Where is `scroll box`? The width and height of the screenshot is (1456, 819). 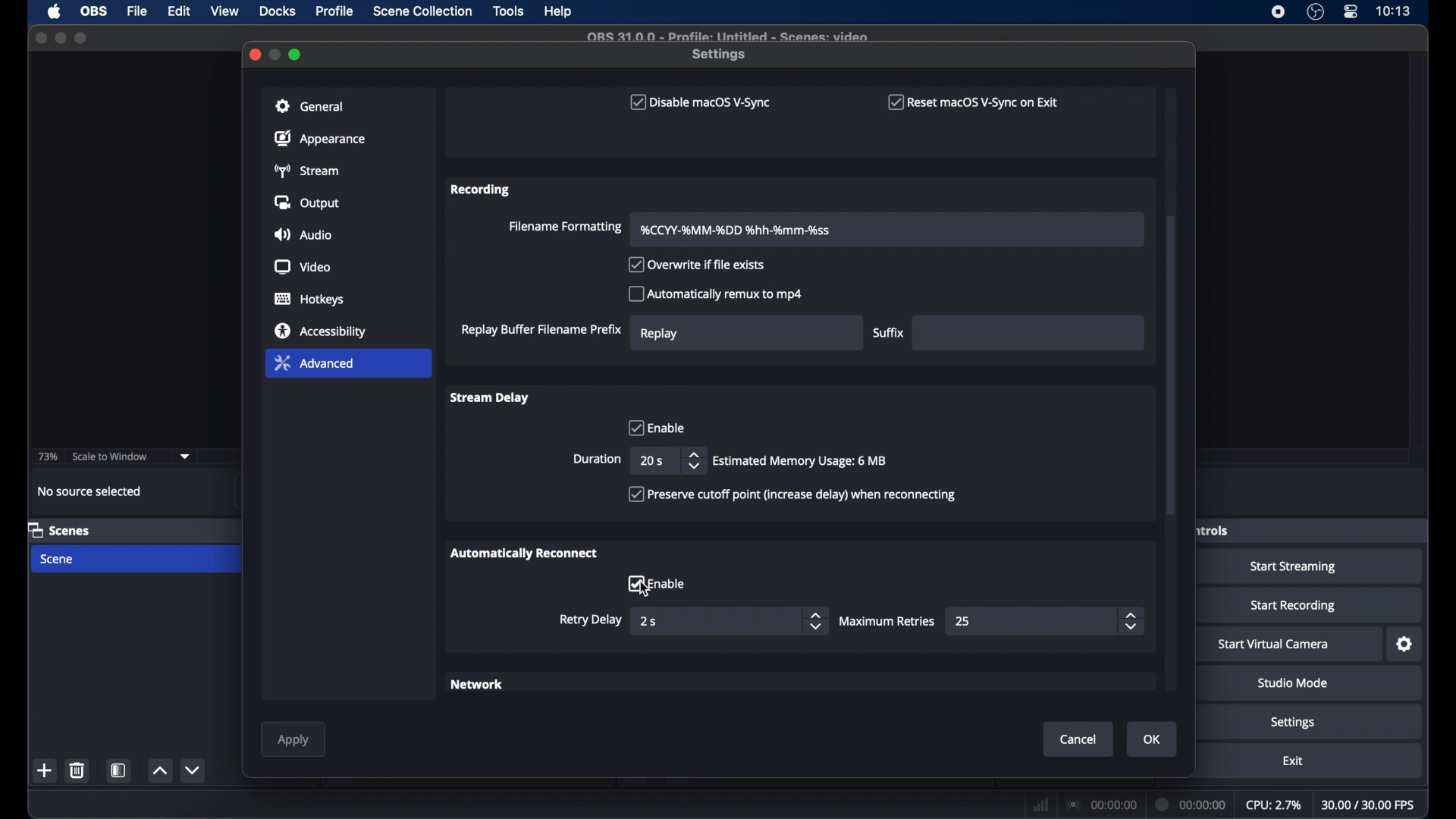 scroll box is located at coordinates (1171, 367).